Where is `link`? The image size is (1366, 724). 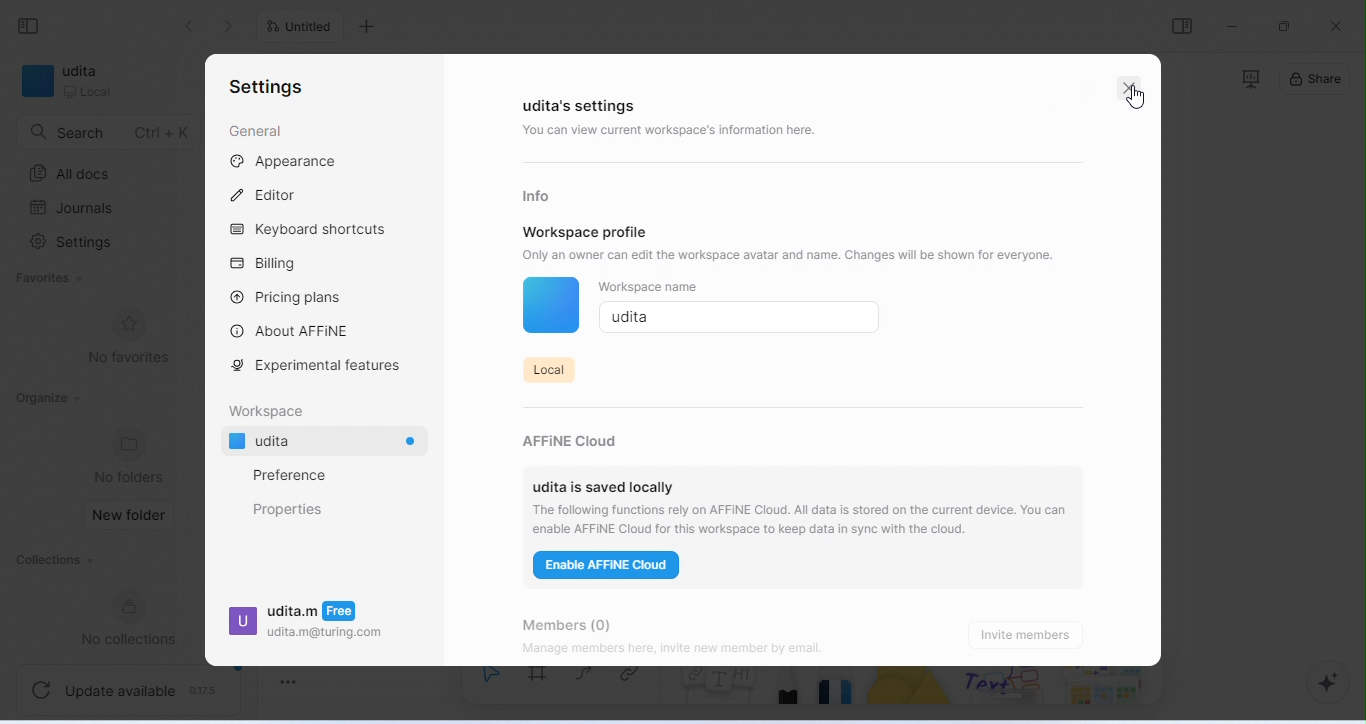 link is located at coordinates (637, 683).